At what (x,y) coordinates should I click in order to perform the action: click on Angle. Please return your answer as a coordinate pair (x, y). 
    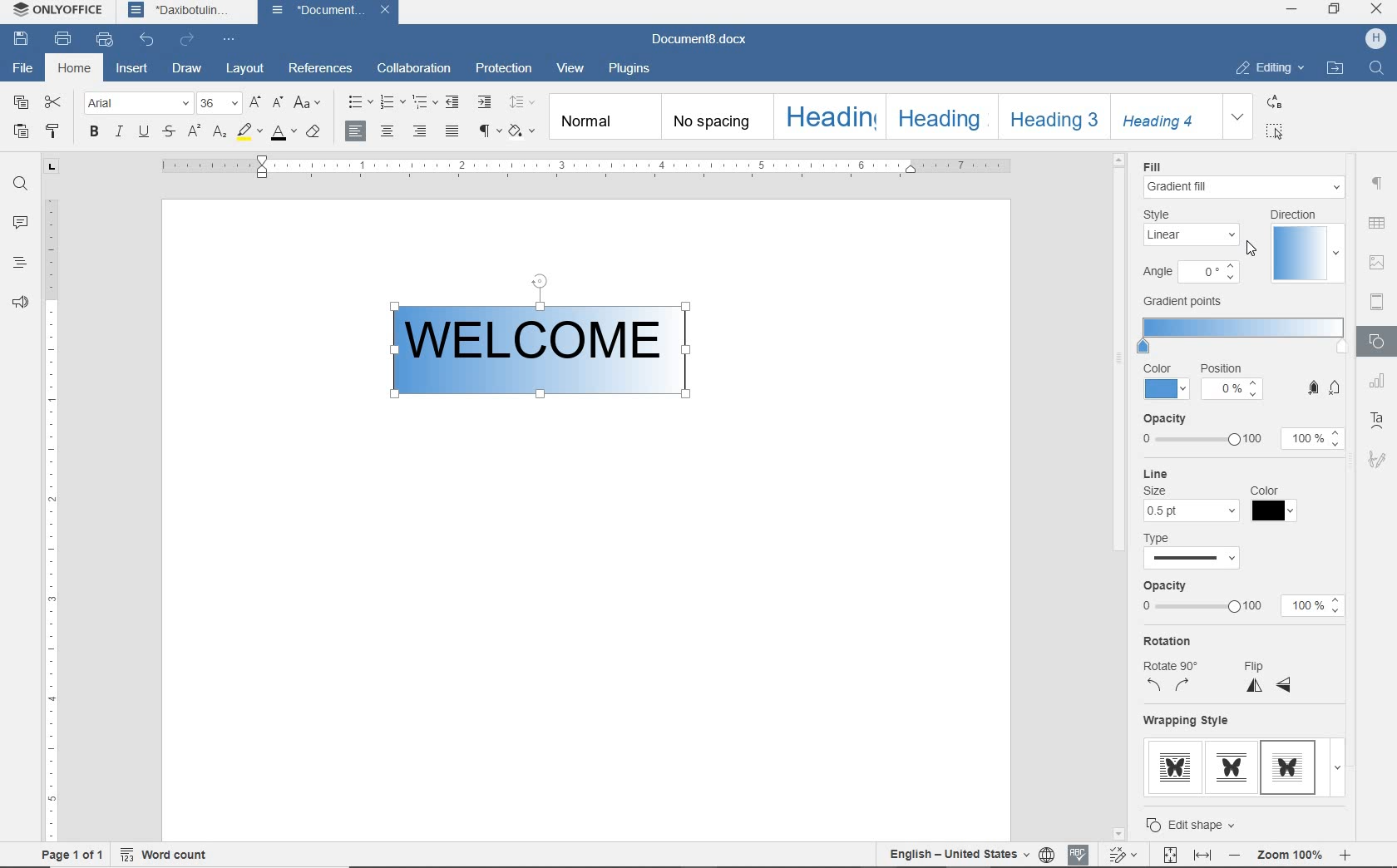
    Looking at the image, I should click on (1209, 272).